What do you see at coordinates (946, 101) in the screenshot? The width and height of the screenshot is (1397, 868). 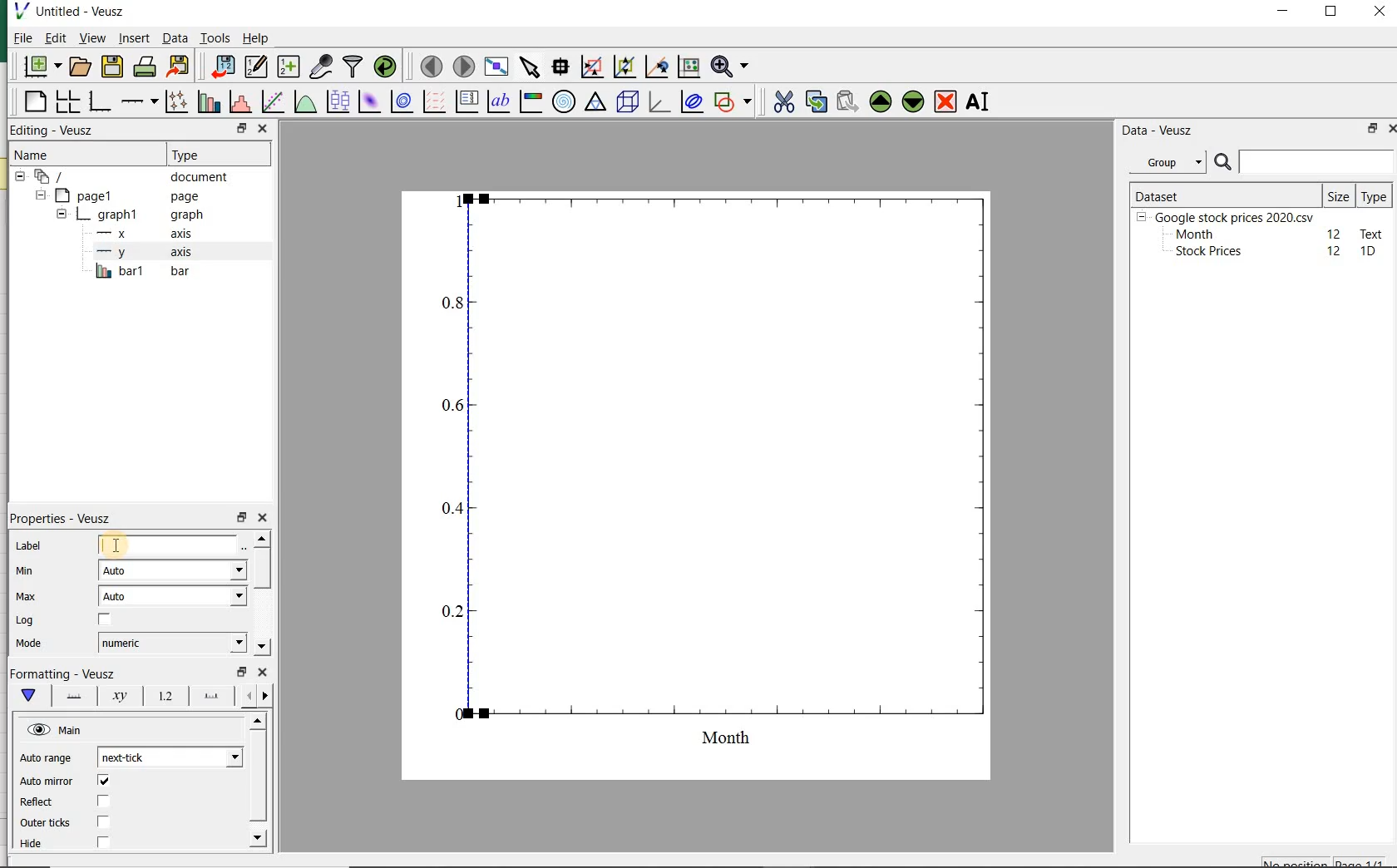 I see `remove the selected widget` at bounding box center [946, 101].